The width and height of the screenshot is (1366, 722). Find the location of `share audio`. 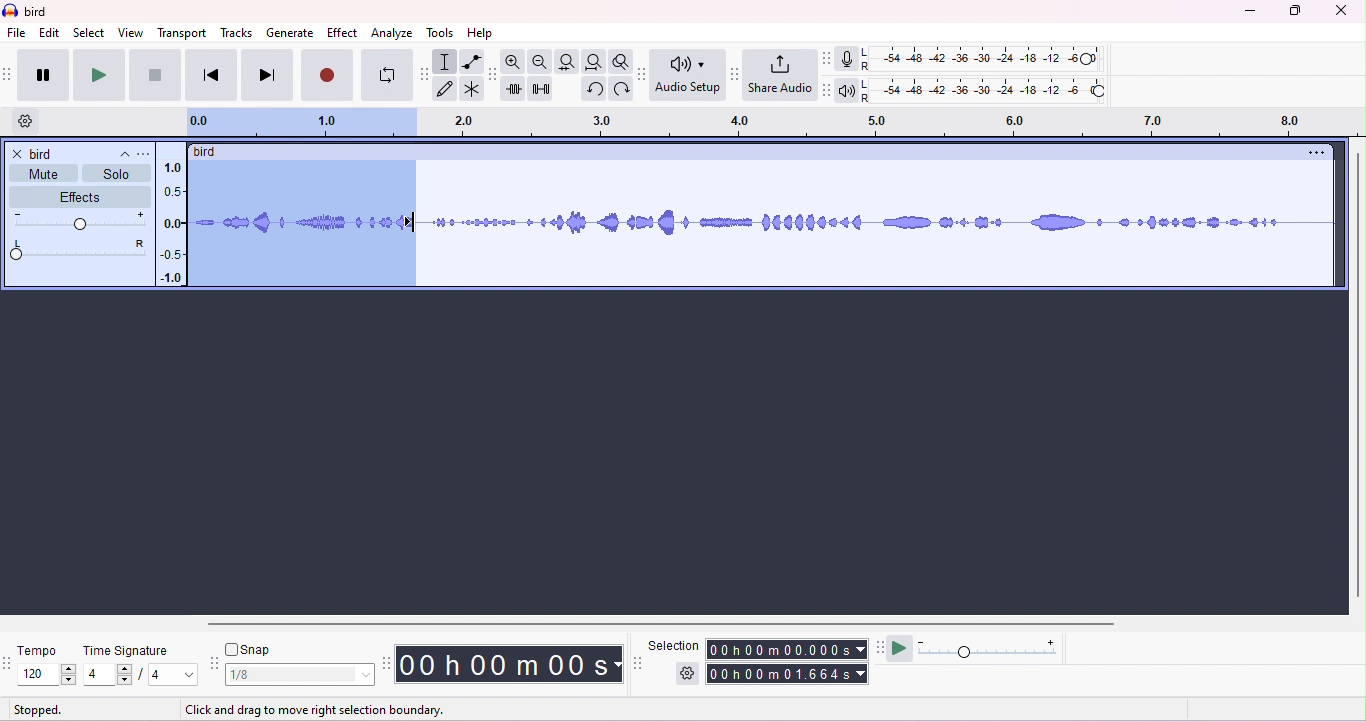

share audio is located at coordinates (783, 75).